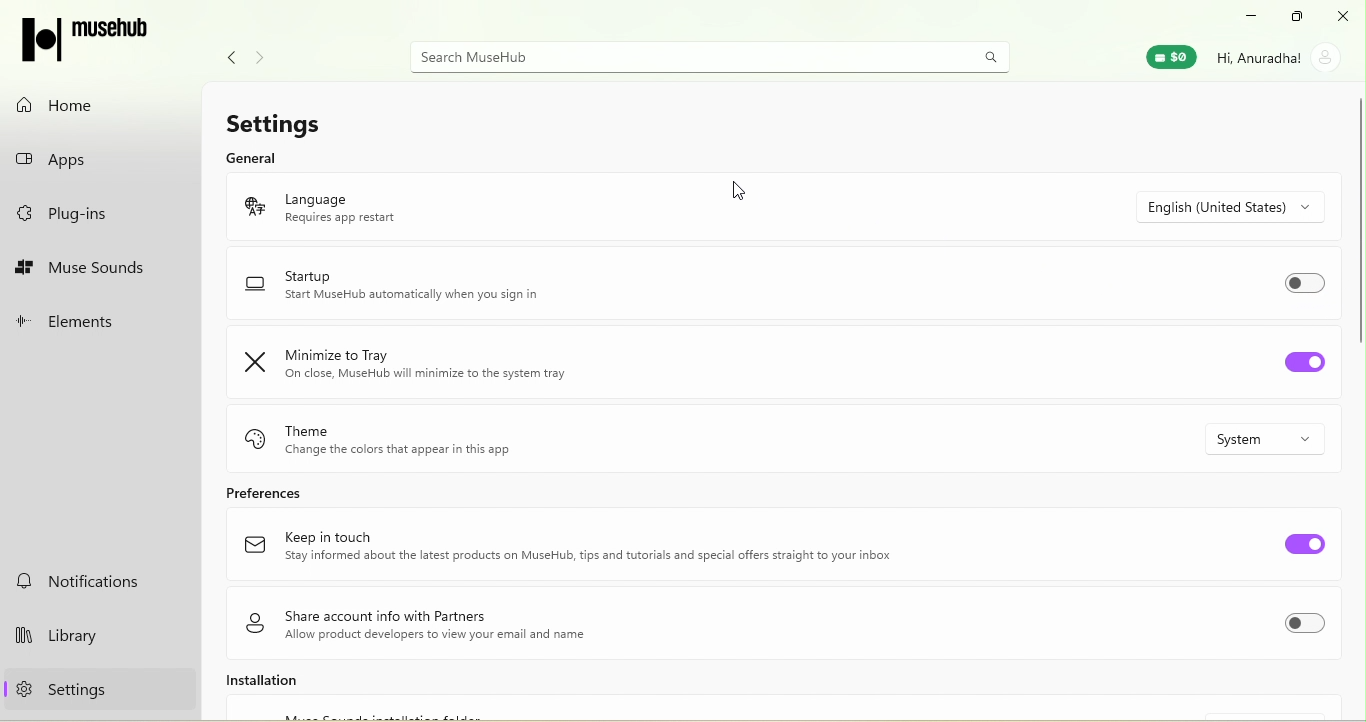 The width and height of the screenshot is (1366, 722). I want to click on home, so click(88, 101).